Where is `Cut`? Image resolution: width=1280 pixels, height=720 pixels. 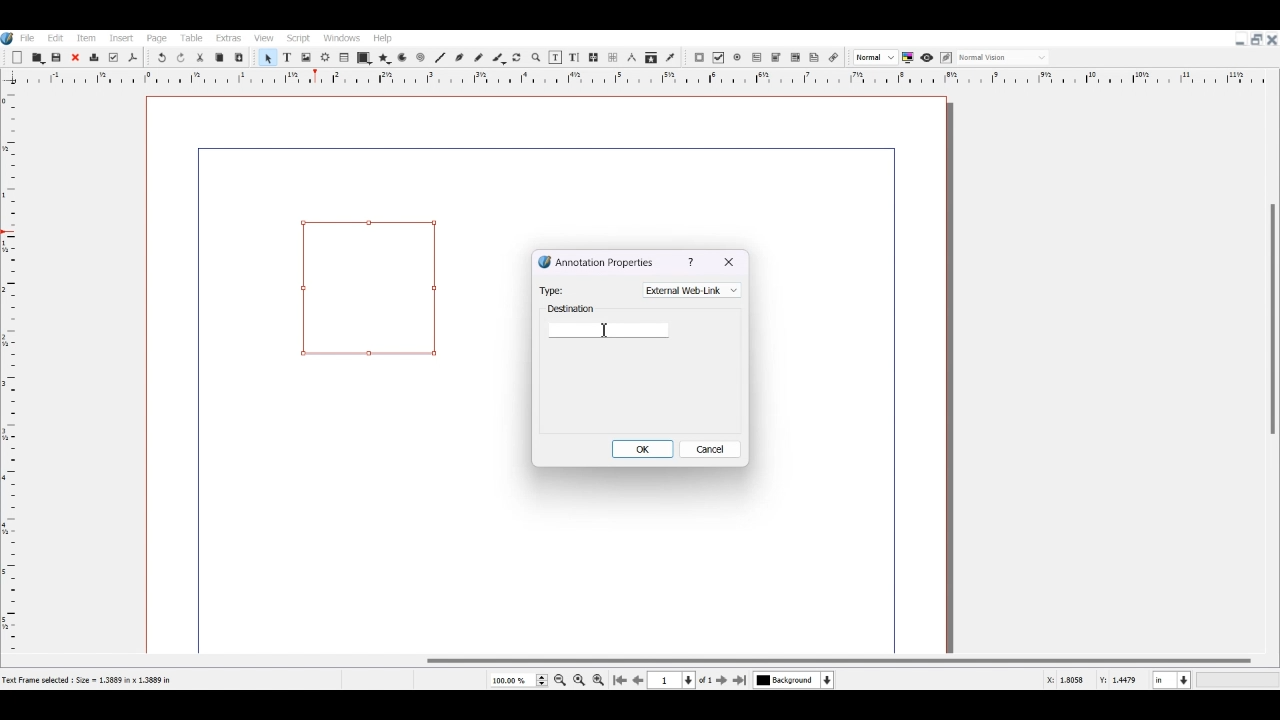 Cut is located at coordinates (200, 57).